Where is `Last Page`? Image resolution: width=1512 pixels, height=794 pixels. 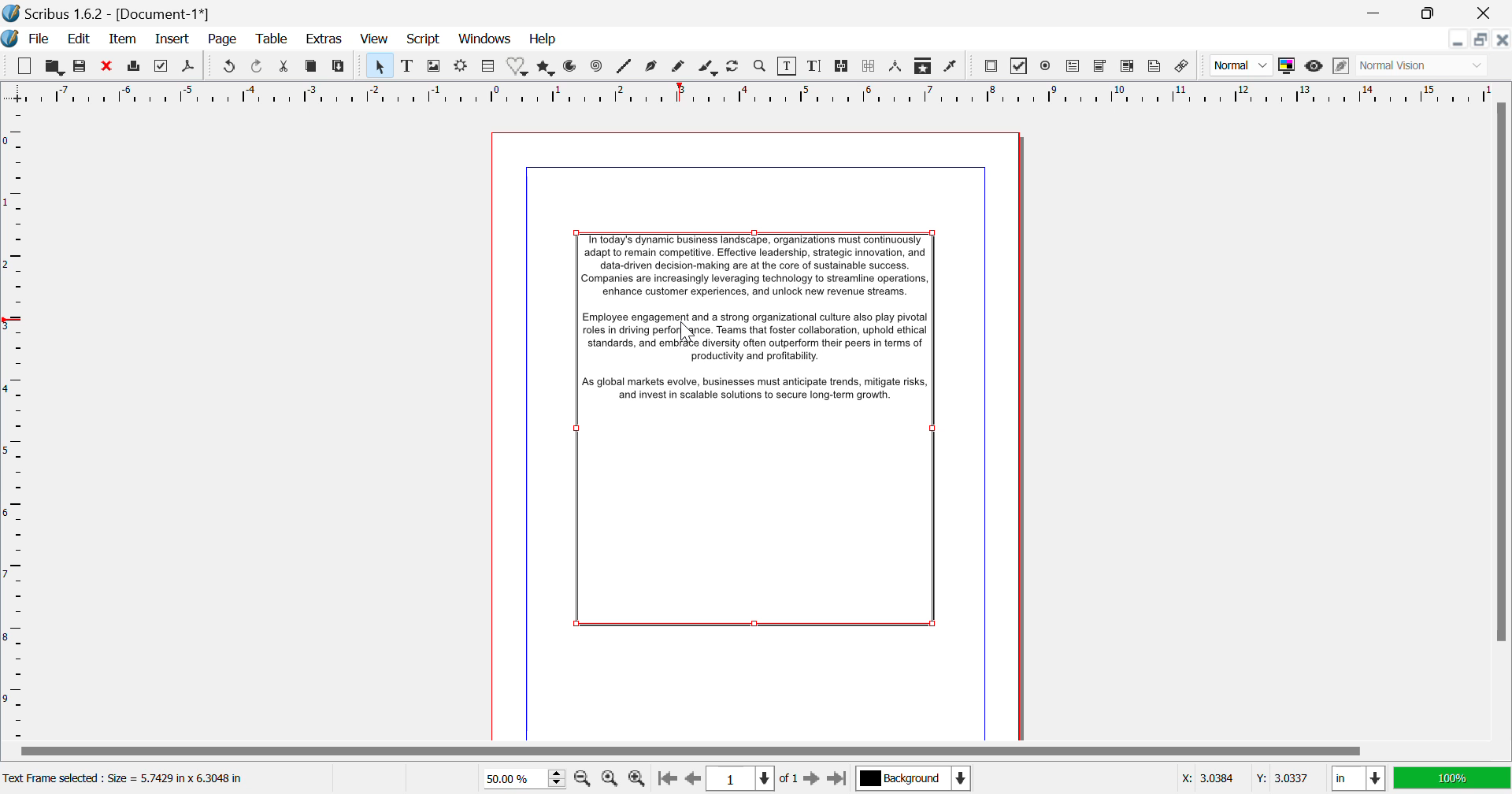
Last Page is located at coordinates (838, 779).